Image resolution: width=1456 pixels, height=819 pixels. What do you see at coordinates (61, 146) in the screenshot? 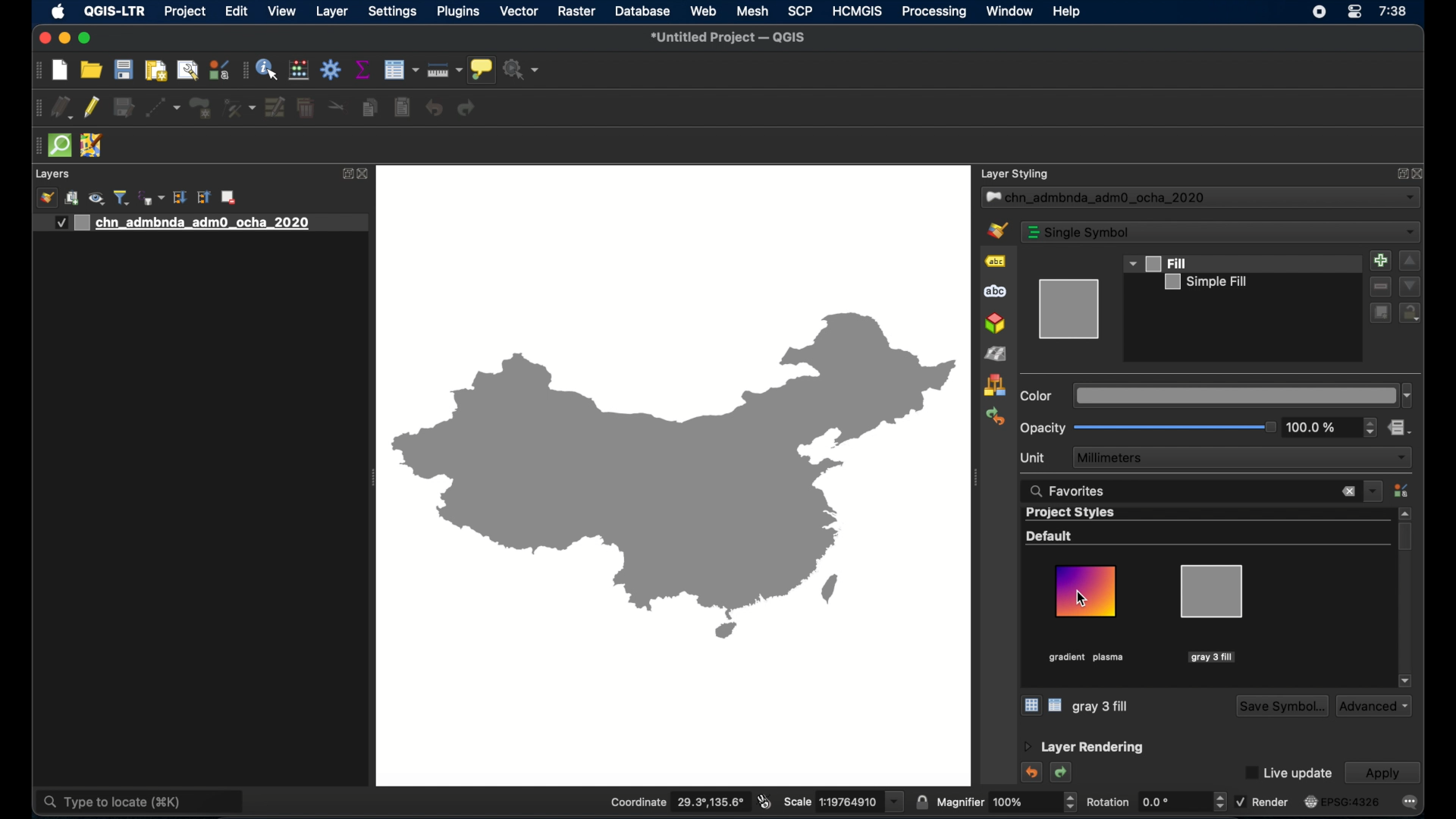
I see `quick osm` at bounding box center [61, 146].